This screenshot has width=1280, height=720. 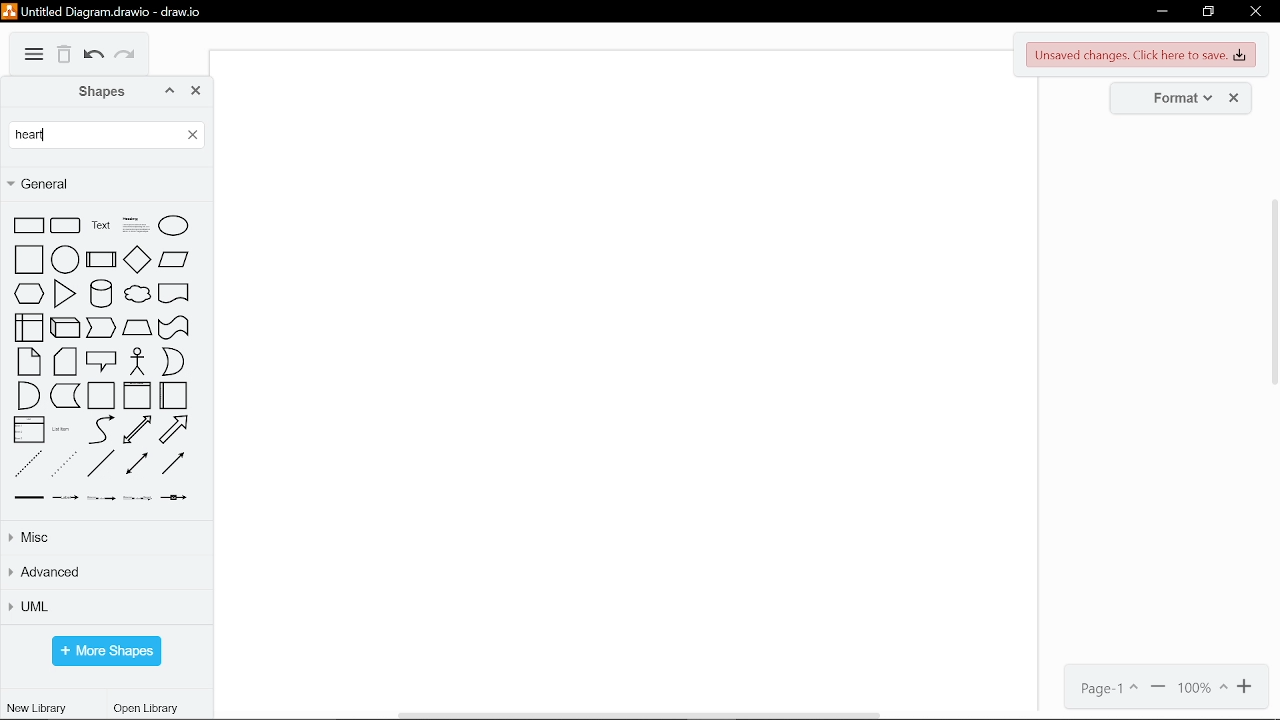 I want to click on card, so click(x=66, y=363).